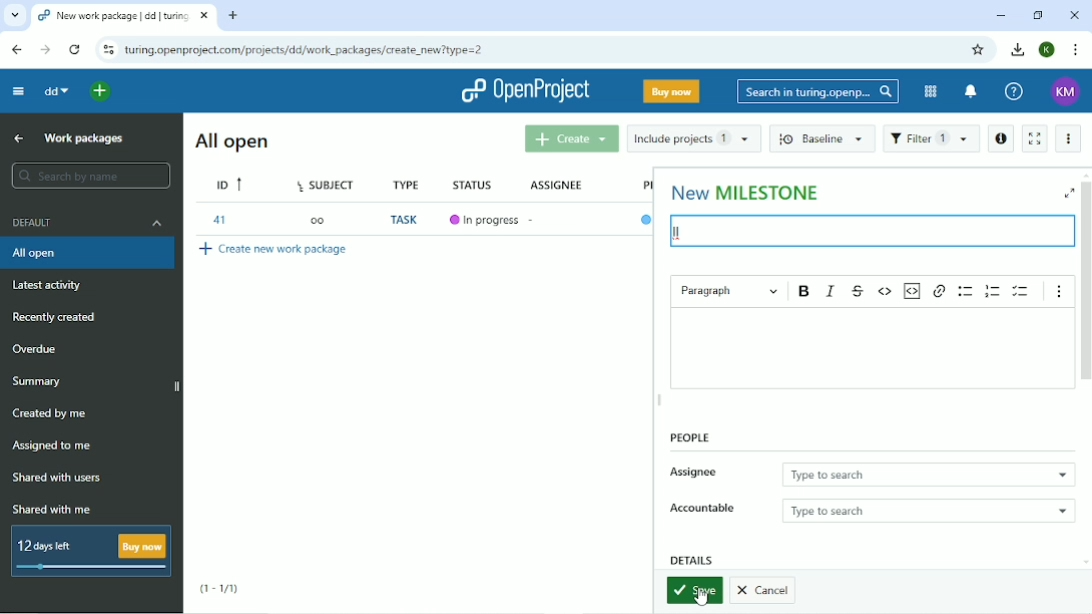 The image size is (1092, 614). What do you see at coordinates (57, 479) in the screenshot?
I see `Shared with users` at bounding box center [57, 479].